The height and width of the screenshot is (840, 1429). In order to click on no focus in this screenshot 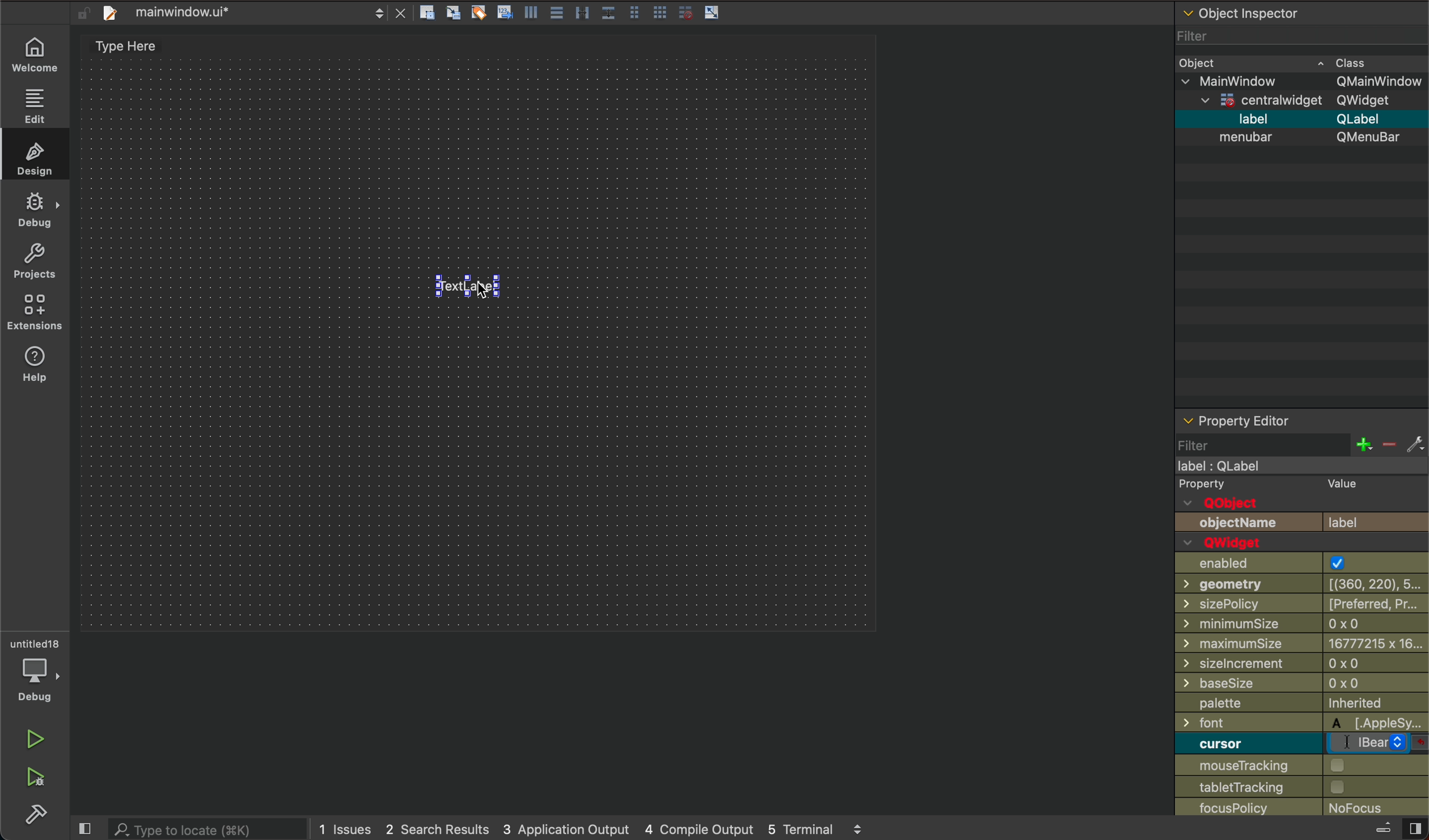, I will do `click(1356, 808)`.